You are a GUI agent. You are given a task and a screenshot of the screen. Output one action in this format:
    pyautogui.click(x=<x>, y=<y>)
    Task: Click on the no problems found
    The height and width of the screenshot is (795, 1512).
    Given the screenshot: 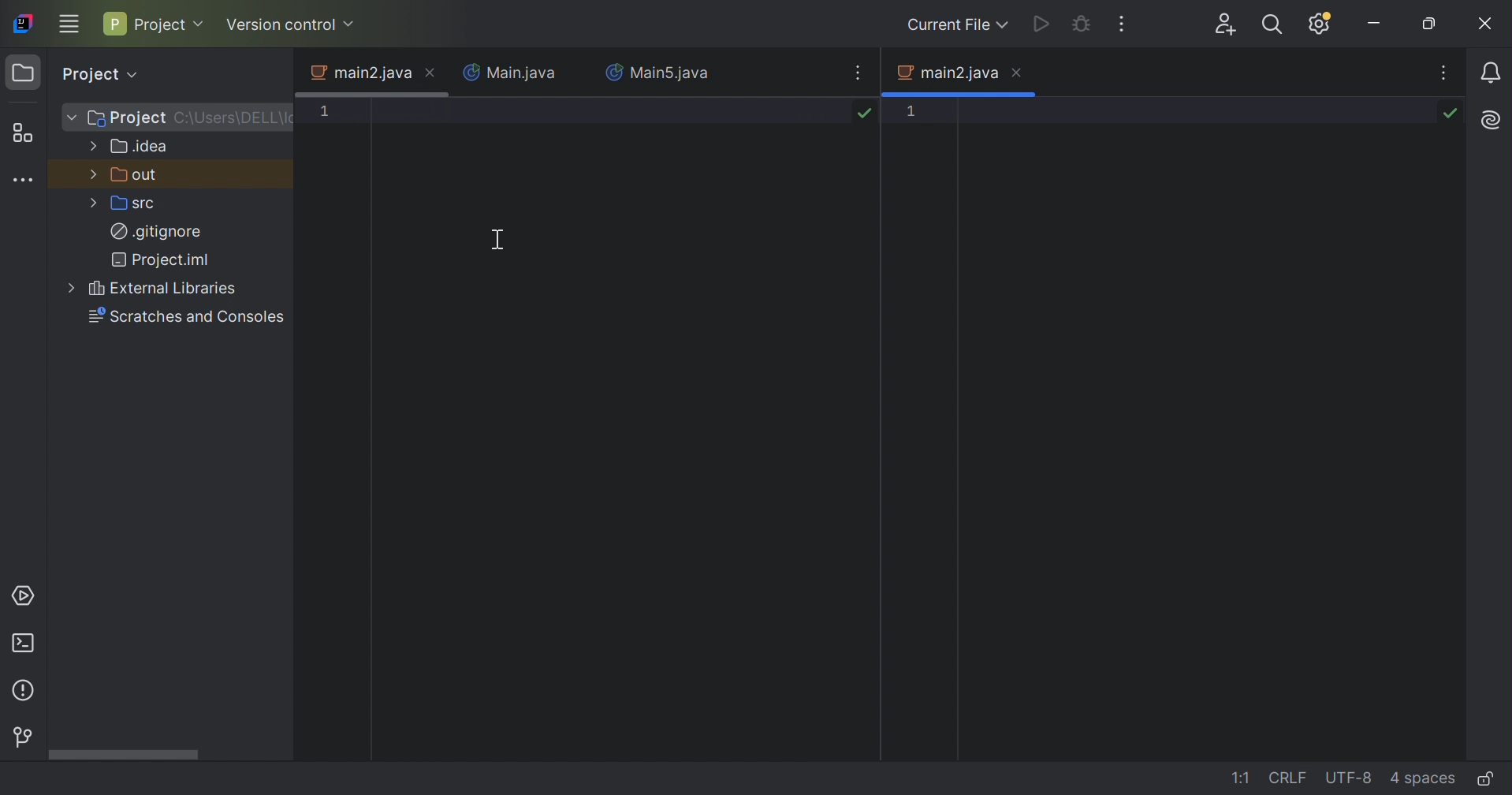 What is the action you would take?
    pyautogui.click(x=864, y=113)
    